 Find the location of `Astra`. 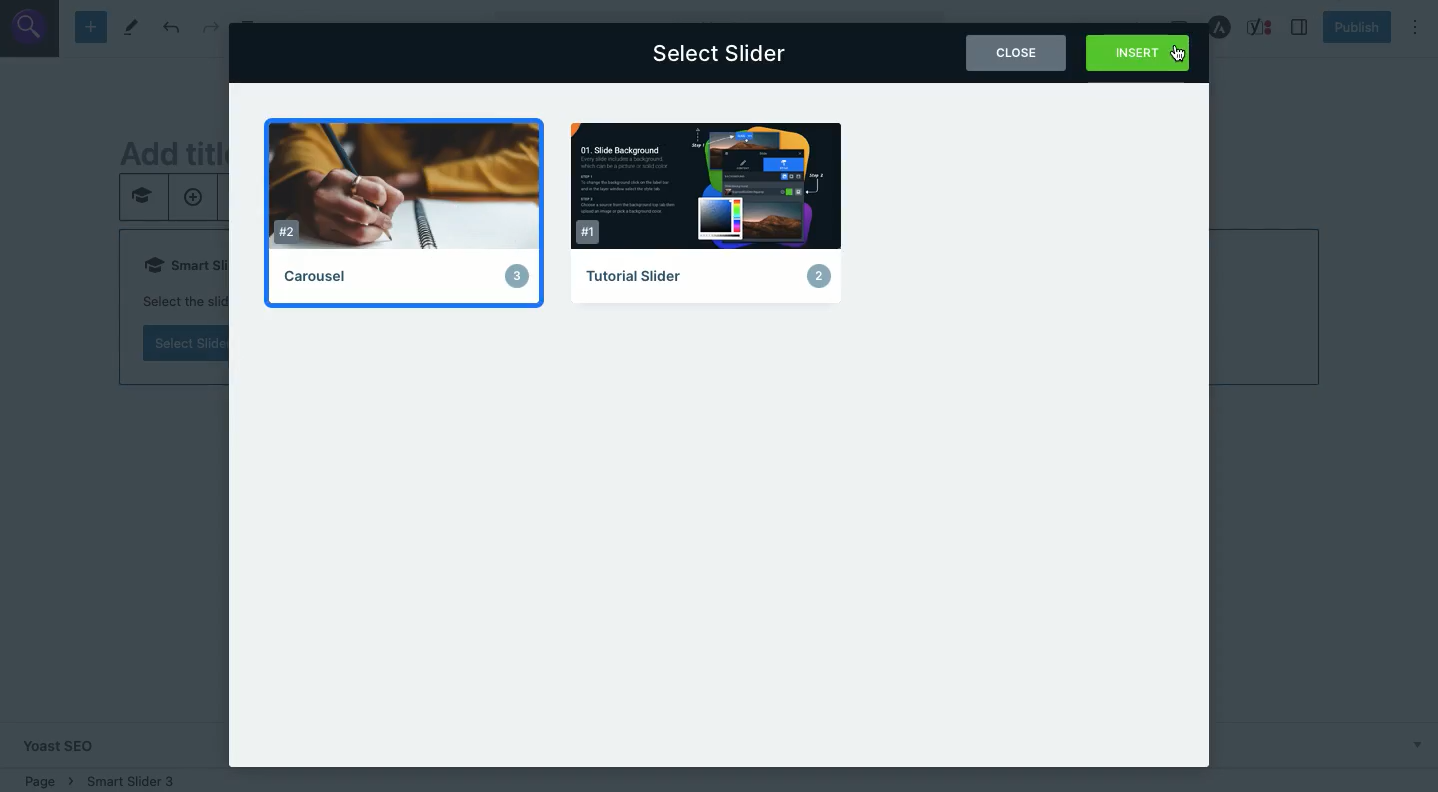

Astra is located at coordinates (1220, 27).